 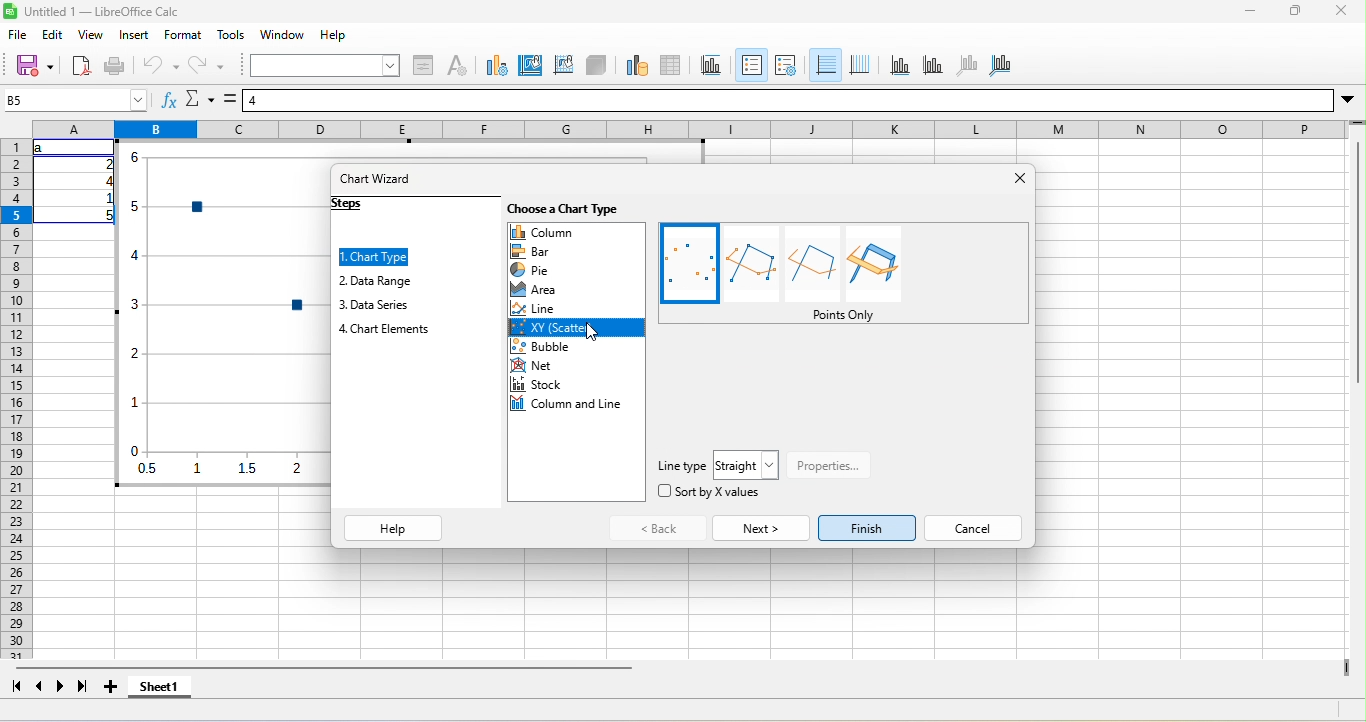 What do you see at coordinates (83, 686) in the screenshot?
I see `last sheet` at bounding box center [83, 686].